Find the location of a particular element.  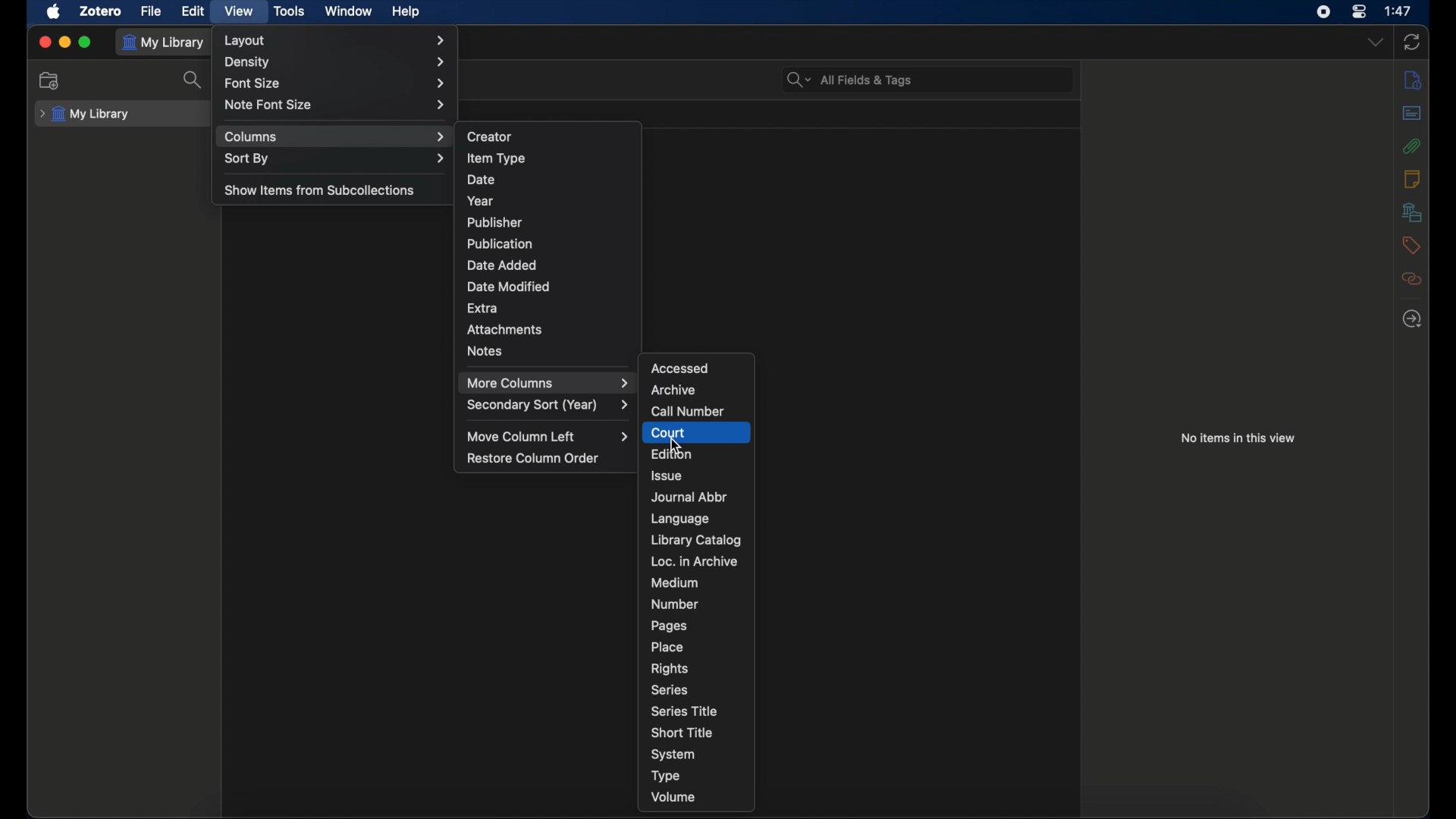

court is located at coordinates (695, 434).